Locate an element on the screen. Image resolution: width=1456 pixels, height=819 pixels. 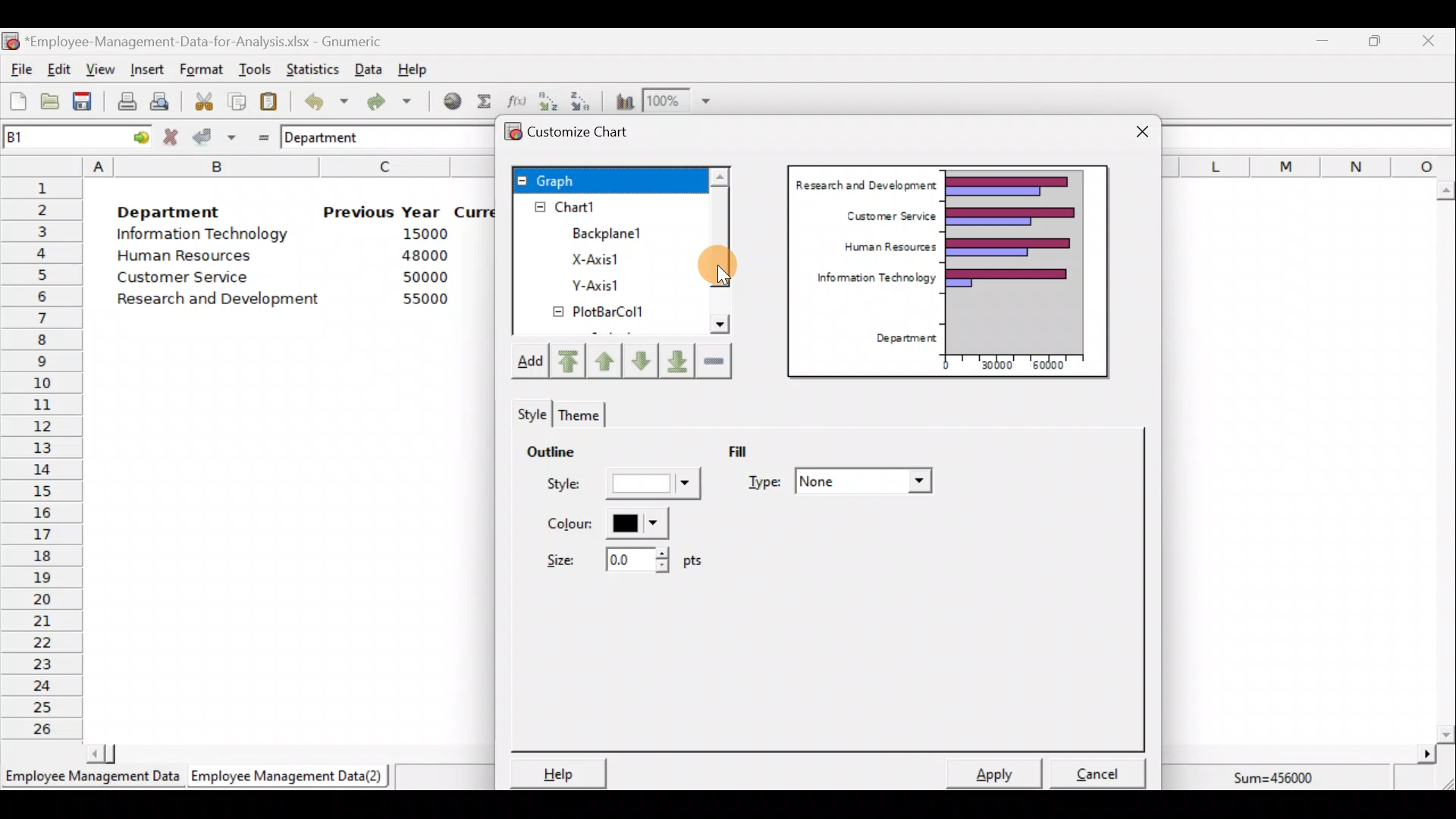
Cursor on scroll bar is located at coordinates (733, 270).